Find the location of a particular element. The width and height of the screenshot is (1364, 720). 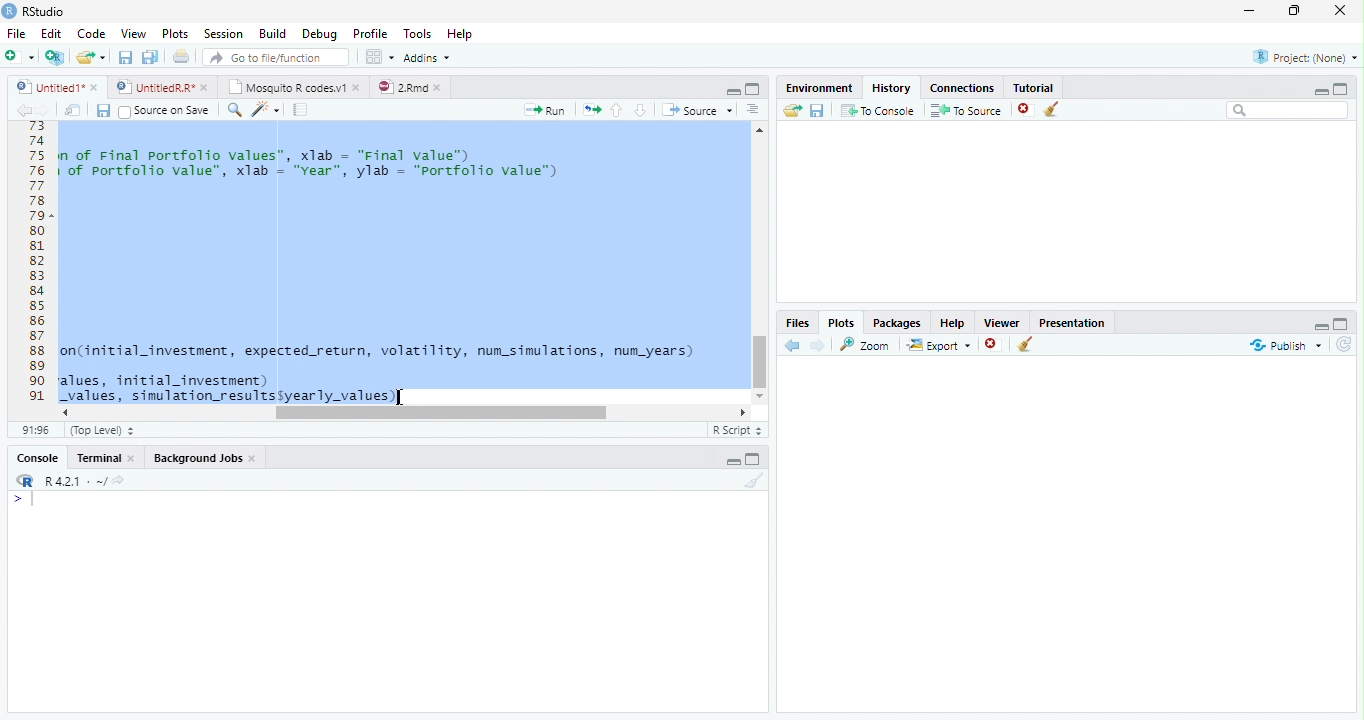

RStudio is located at coordinates (34, 11).